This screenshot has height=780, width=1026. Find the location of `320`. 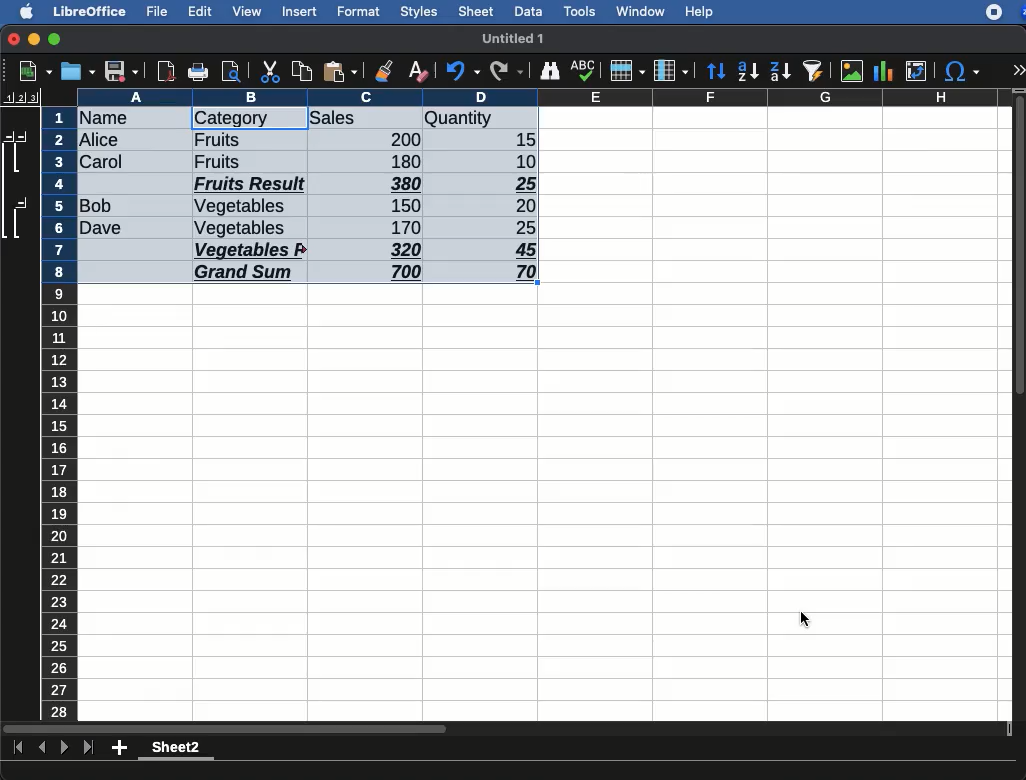

320 is located at coordinates (404, 249).